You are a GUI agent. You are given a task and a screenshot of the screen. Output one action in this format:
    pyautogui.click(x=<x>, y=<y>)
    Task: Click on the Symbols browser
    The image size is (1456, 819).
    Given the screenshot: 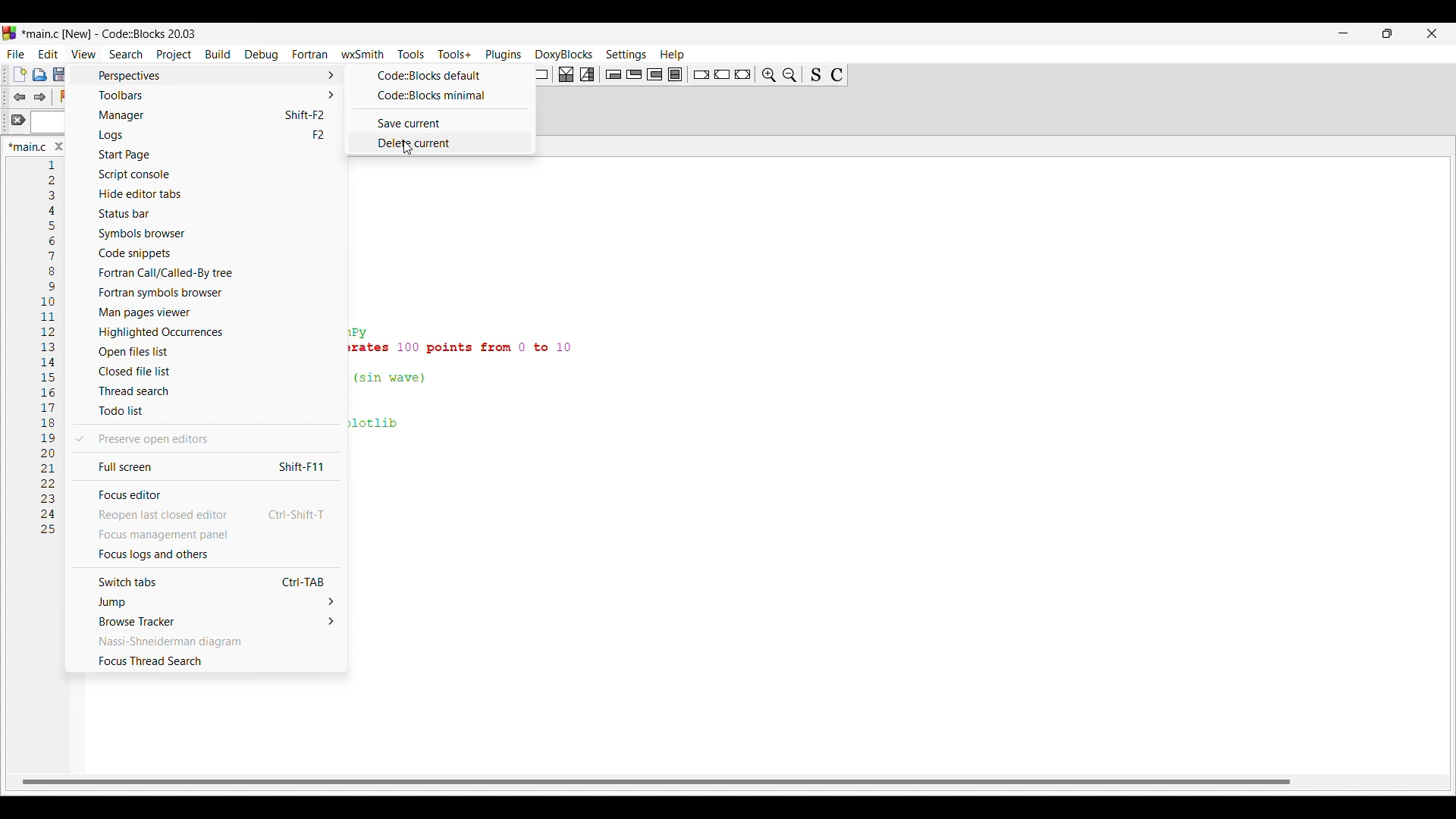 What is the action you would take?
    pyautogui.click(x=210, y=234)
    